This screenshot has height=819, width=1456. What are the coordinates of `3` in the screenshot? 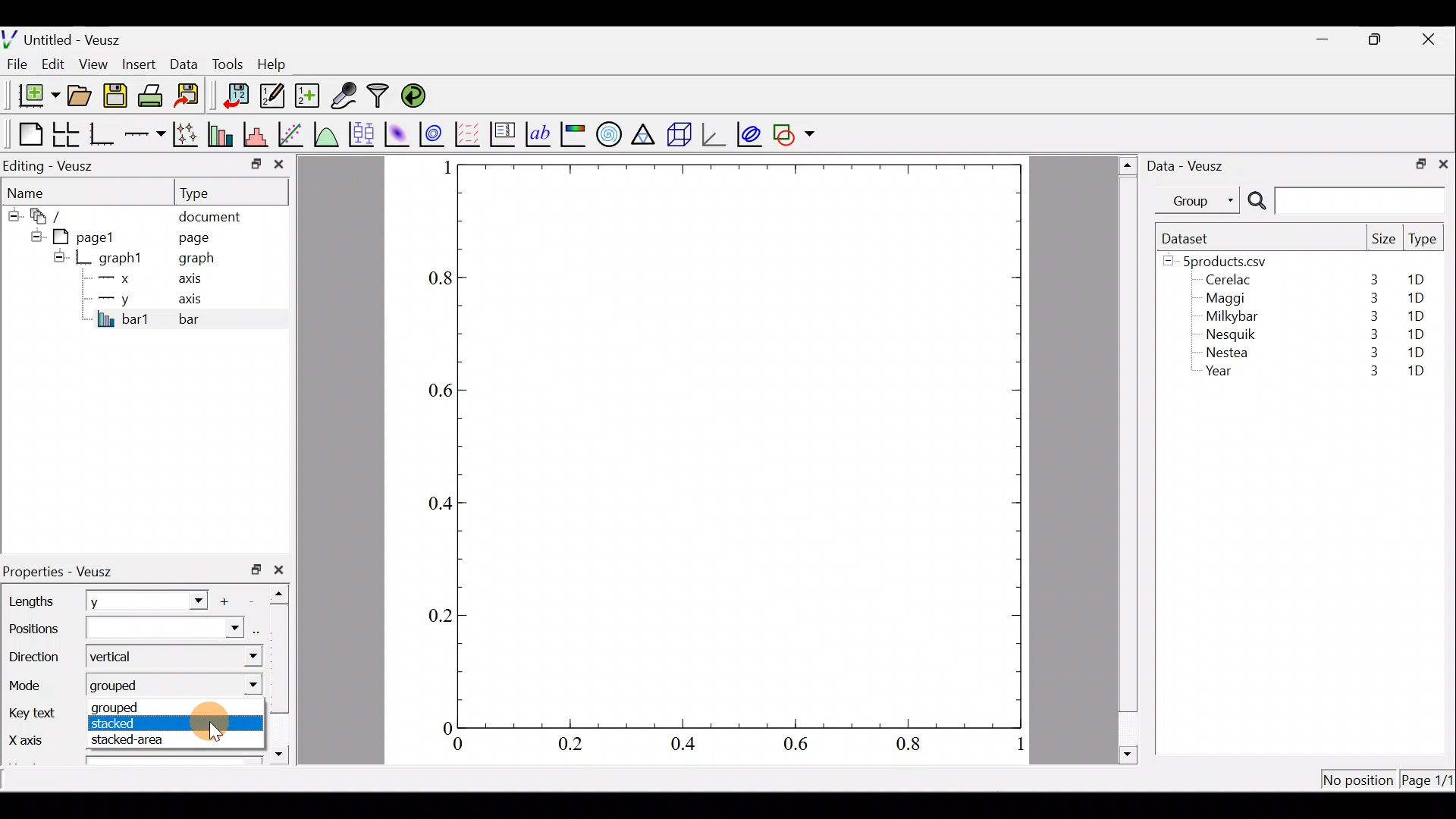 It's located at (1371, 316).